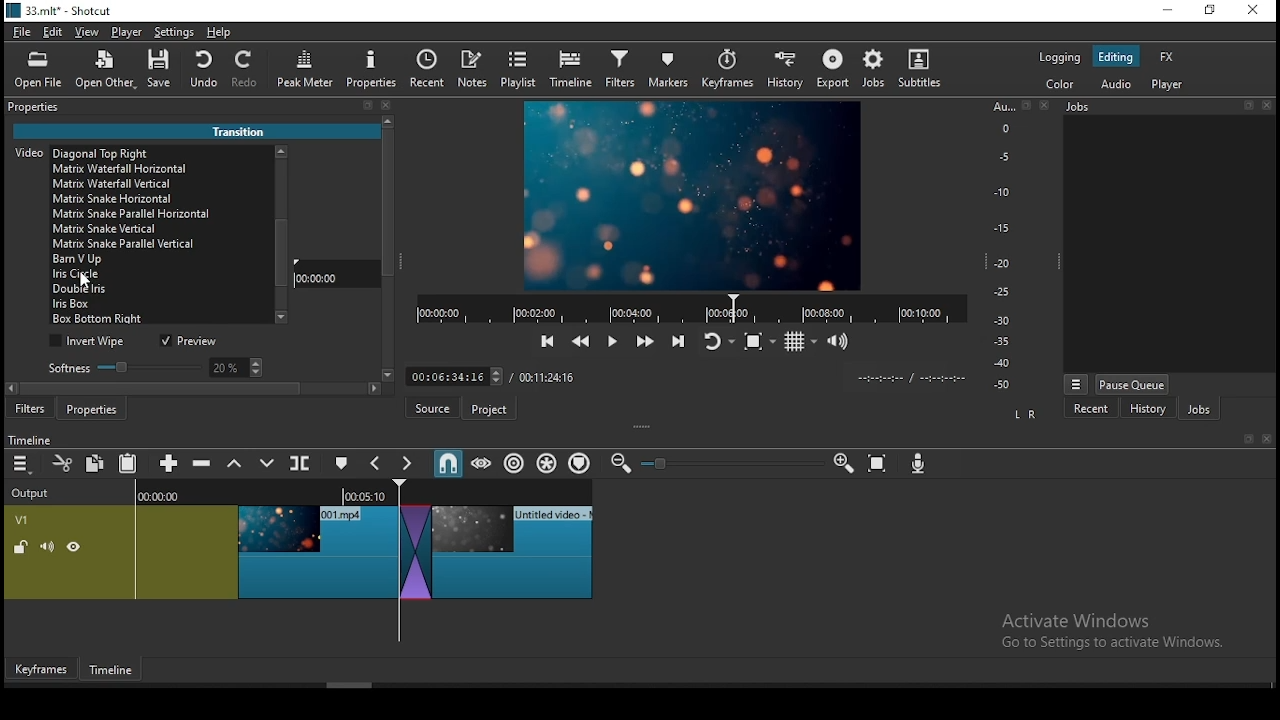  I want to click on show video volume control, so click(839, 335).